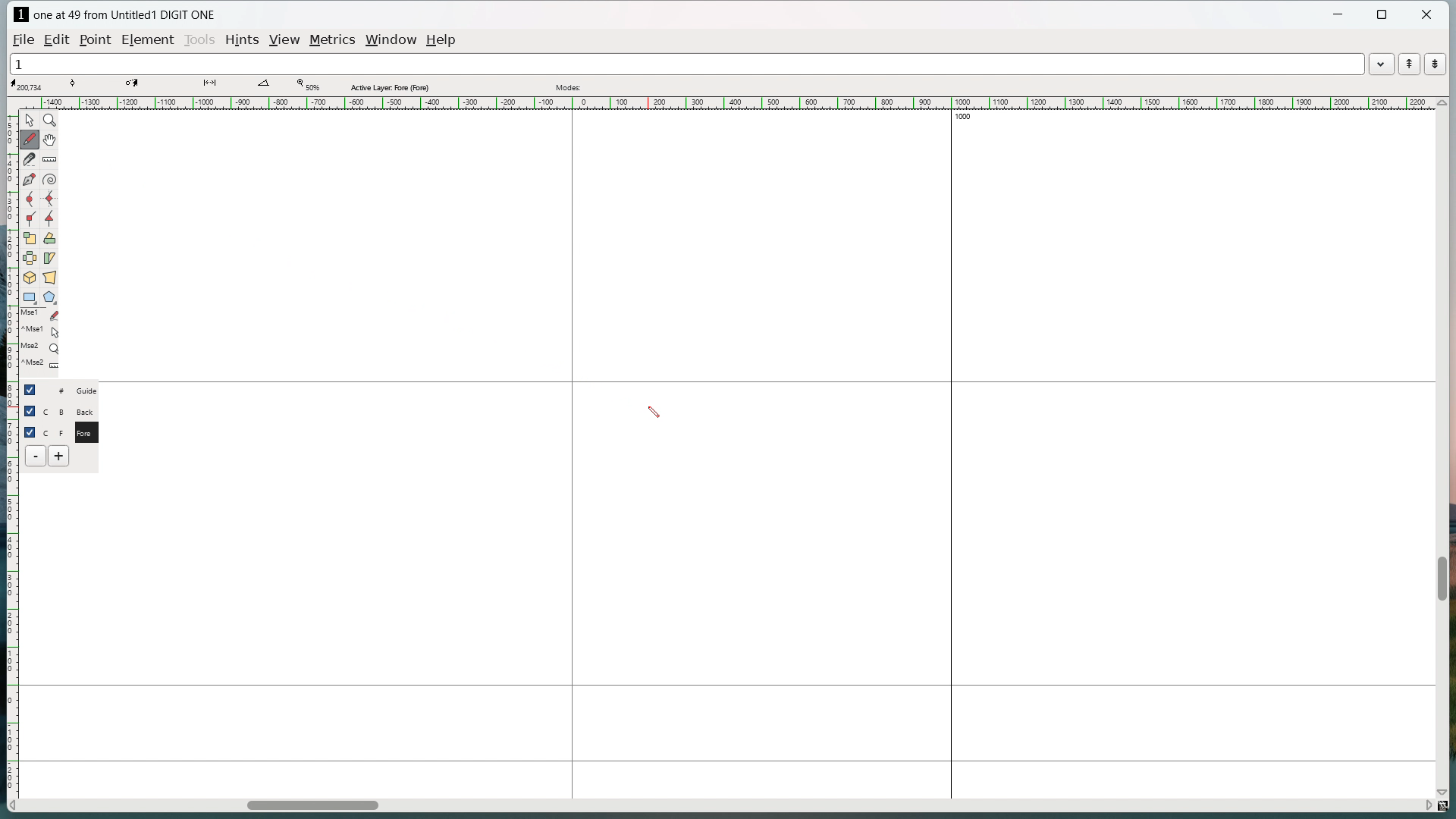 The image size is (1456, 819). Describe the element at coordinates (312, 808) in the screenshot. I see `horizontal scrollbar` at that location.